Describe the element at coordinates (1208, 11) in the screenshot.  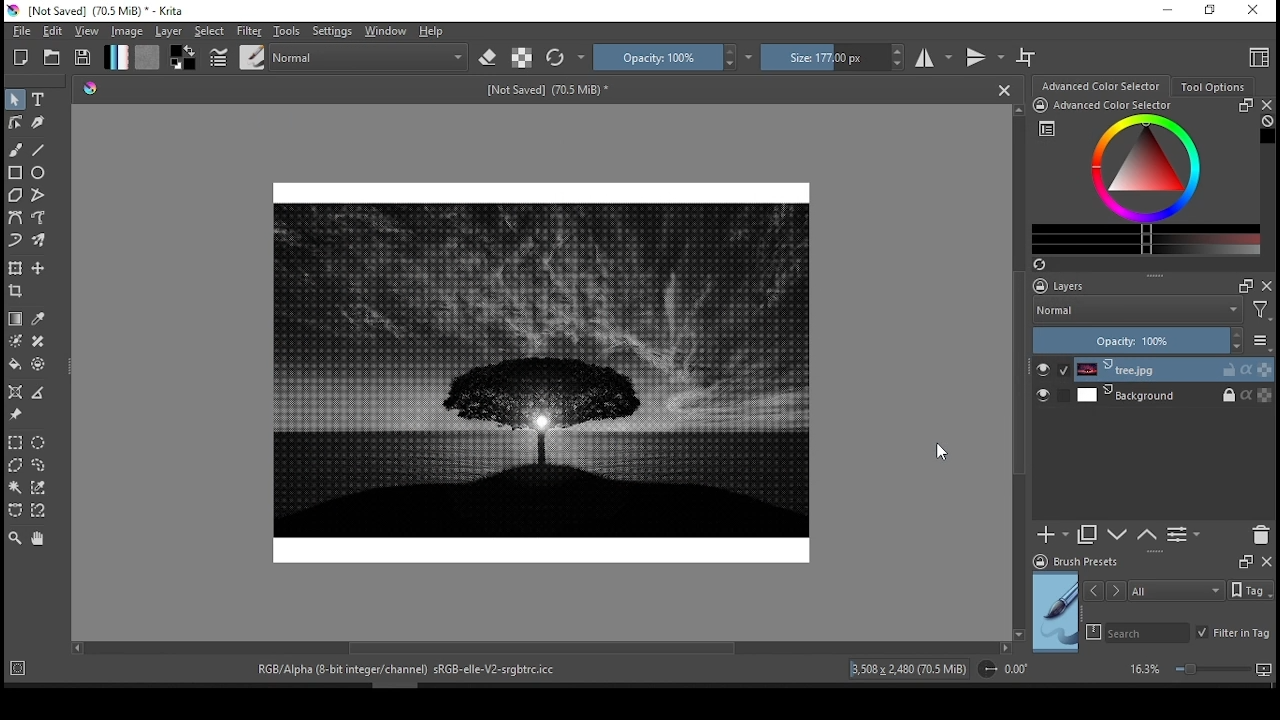
I see `restore` at that location.